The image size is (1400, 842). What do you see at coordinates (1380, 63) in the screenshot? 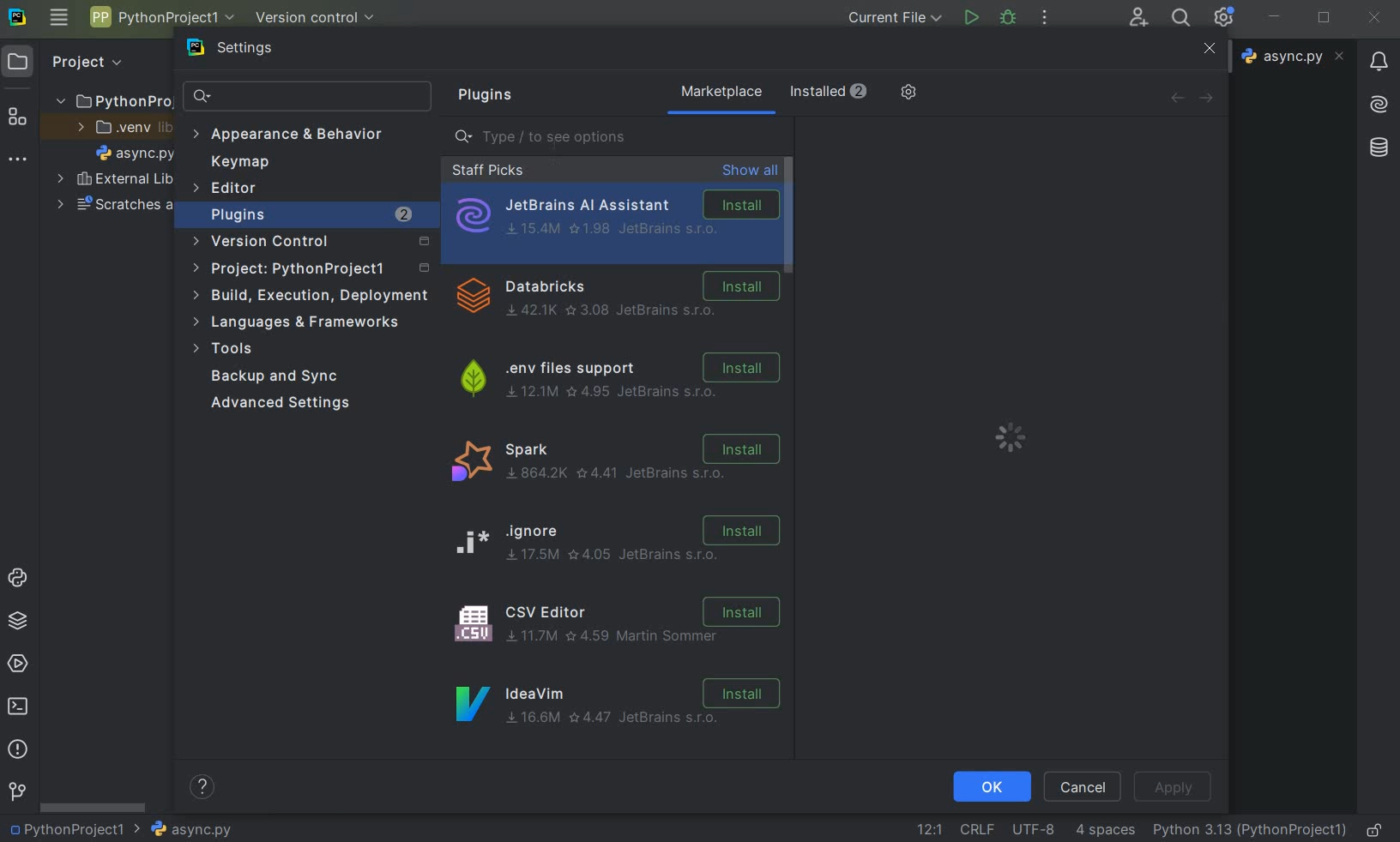
I see `notifications` at bounding box center [1380, 63].